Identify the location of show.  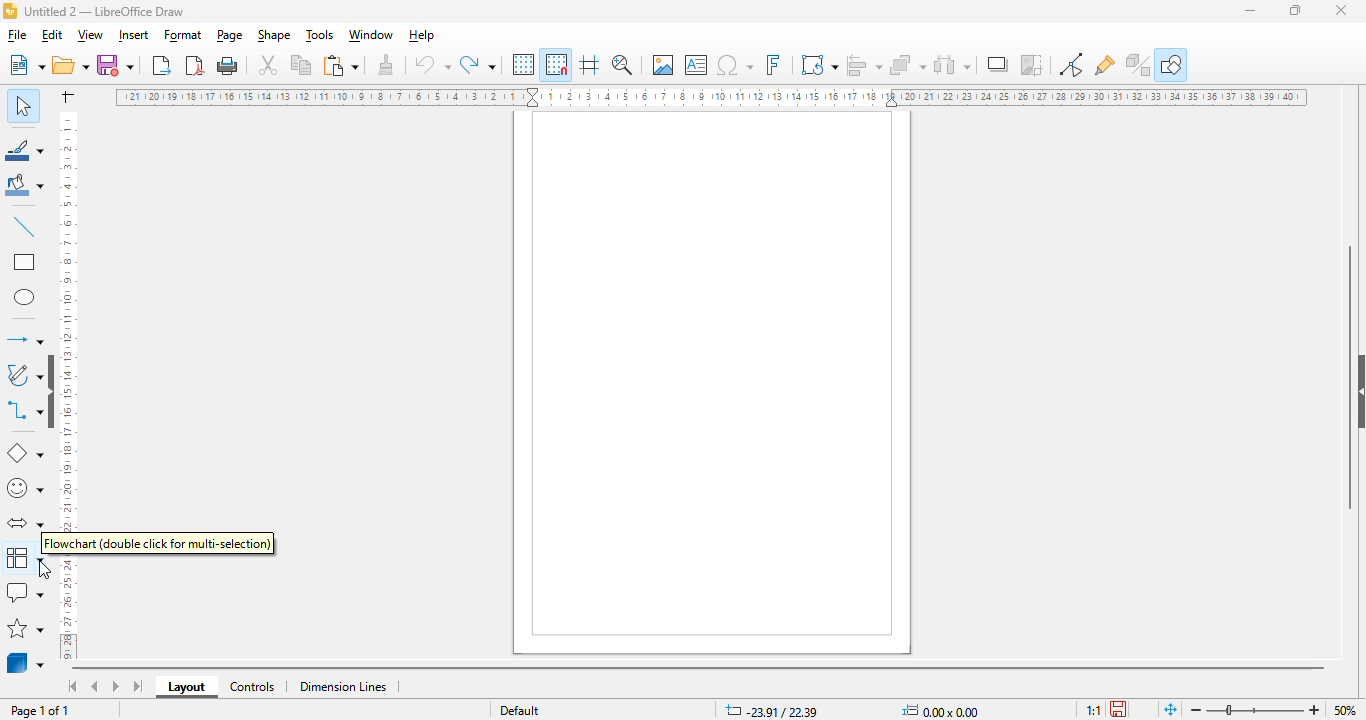
(1357, 394).